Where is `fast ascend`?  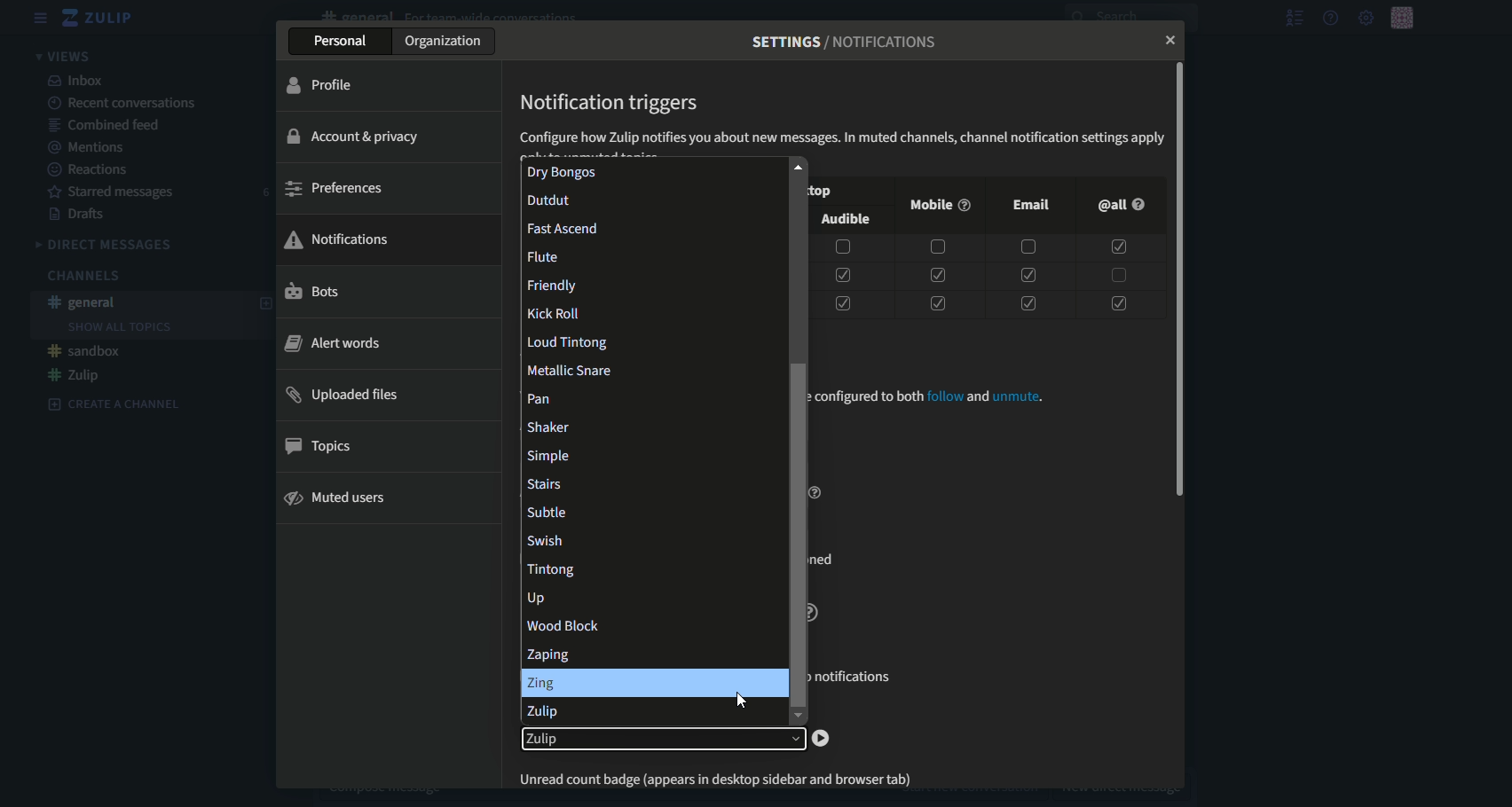 fast ascend is located at coordinates (649, 226).